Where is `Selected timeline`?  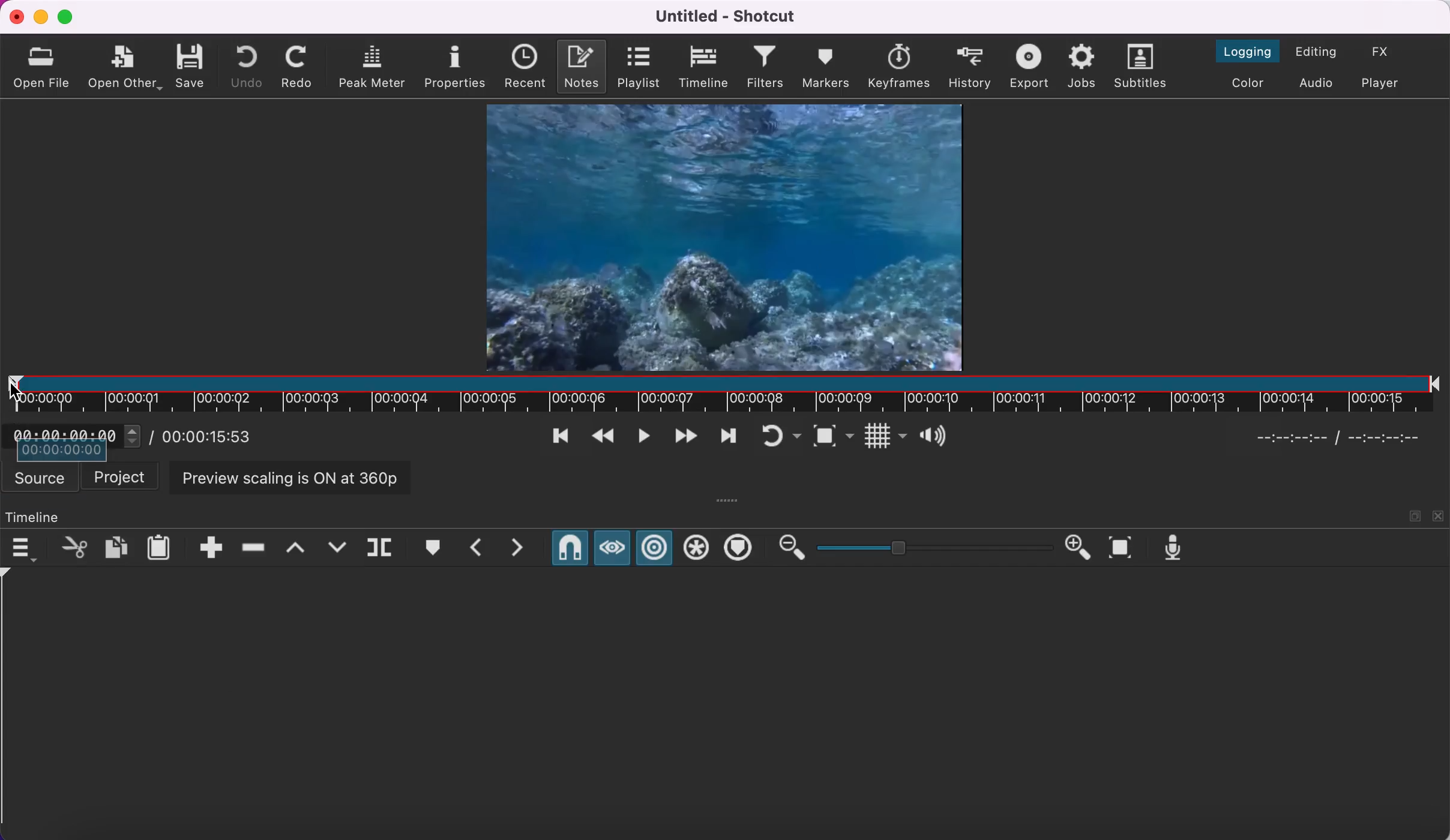
Selected timeline is located at coordinates (1332, 445).